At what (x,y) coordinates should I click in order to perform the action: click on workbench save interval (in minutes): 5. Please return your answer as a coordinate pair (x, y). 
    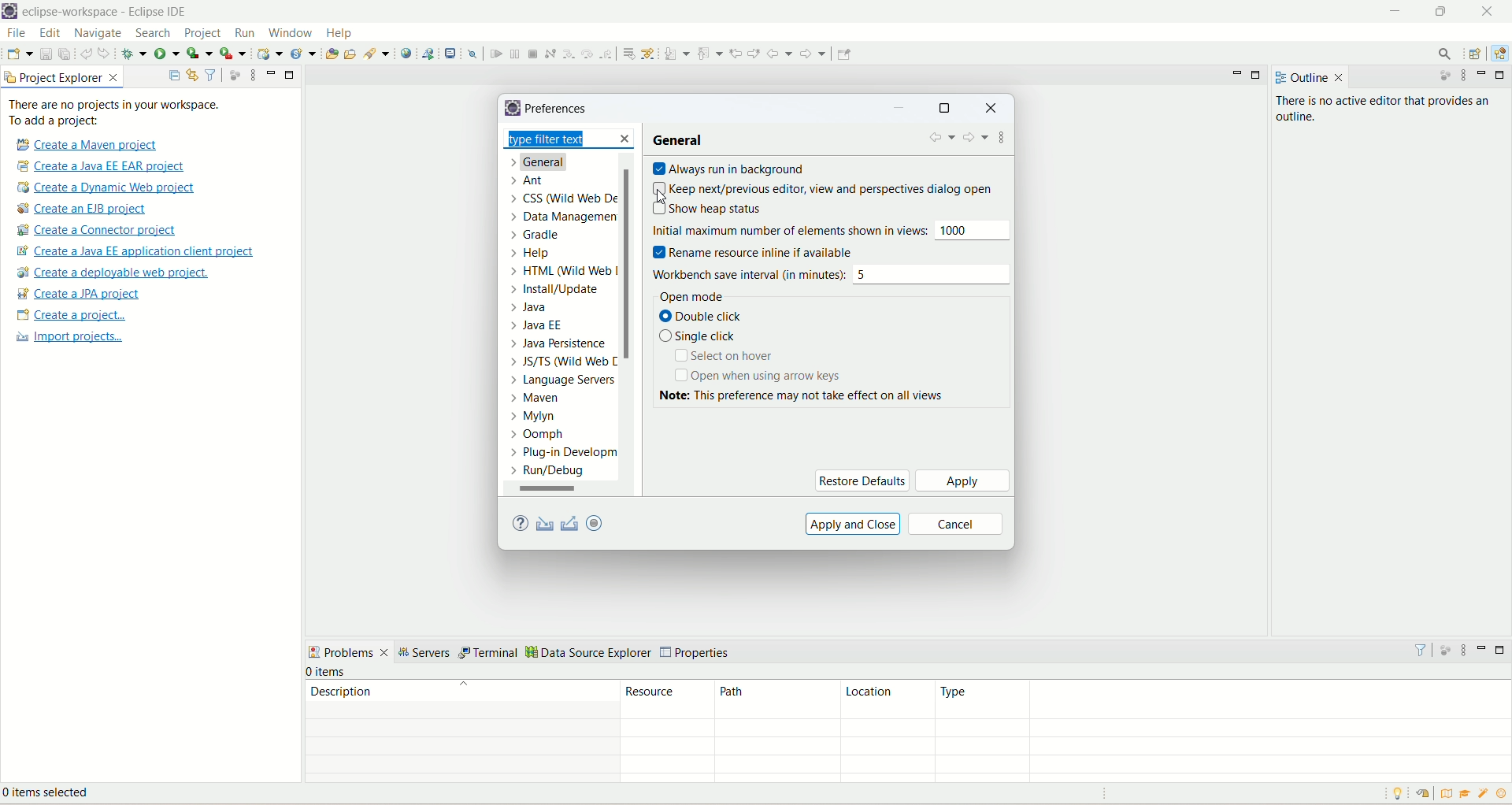
    Looking at the image, I should click on (834, 273).